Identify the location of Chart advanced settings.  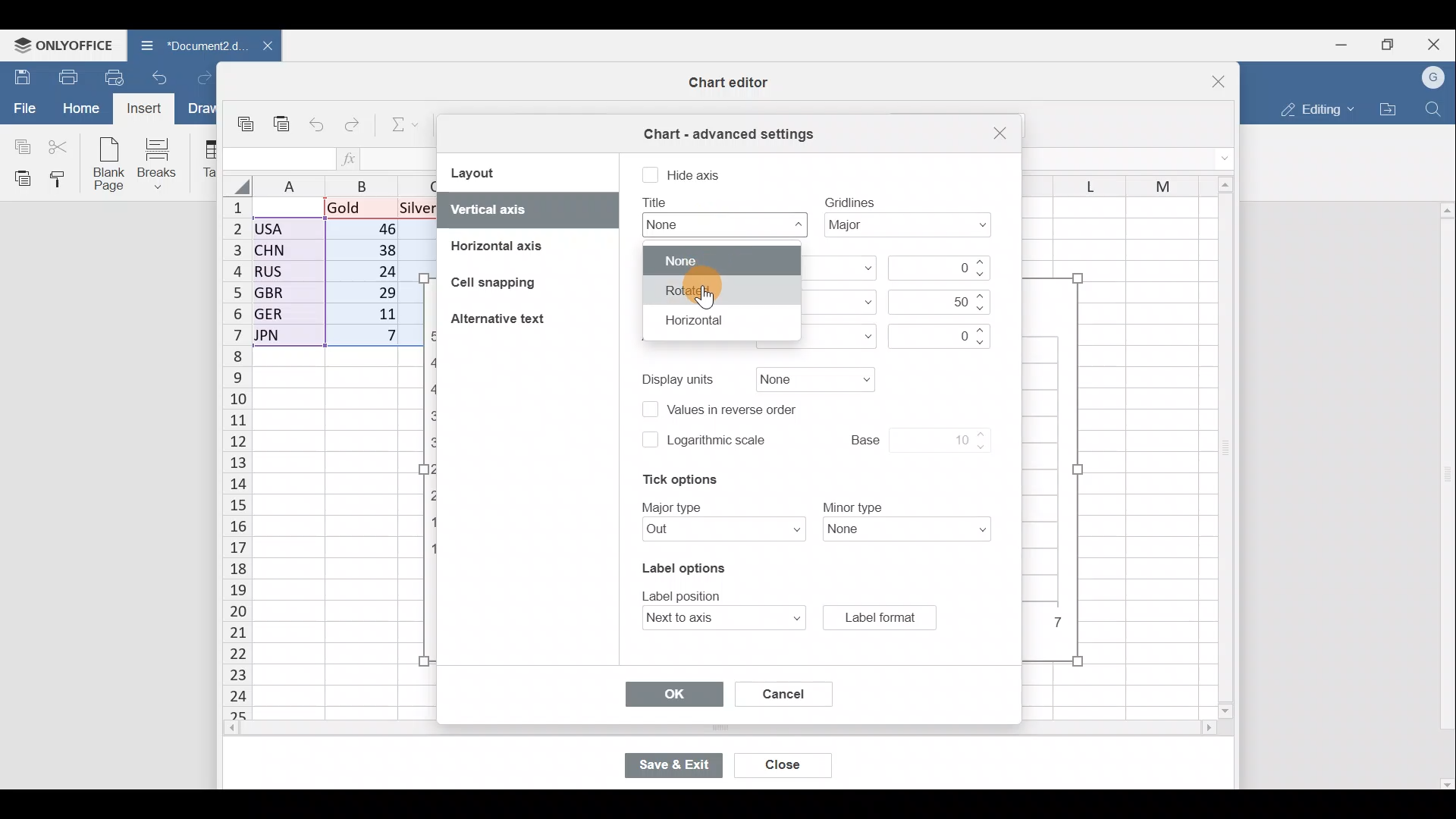
(726, 129).